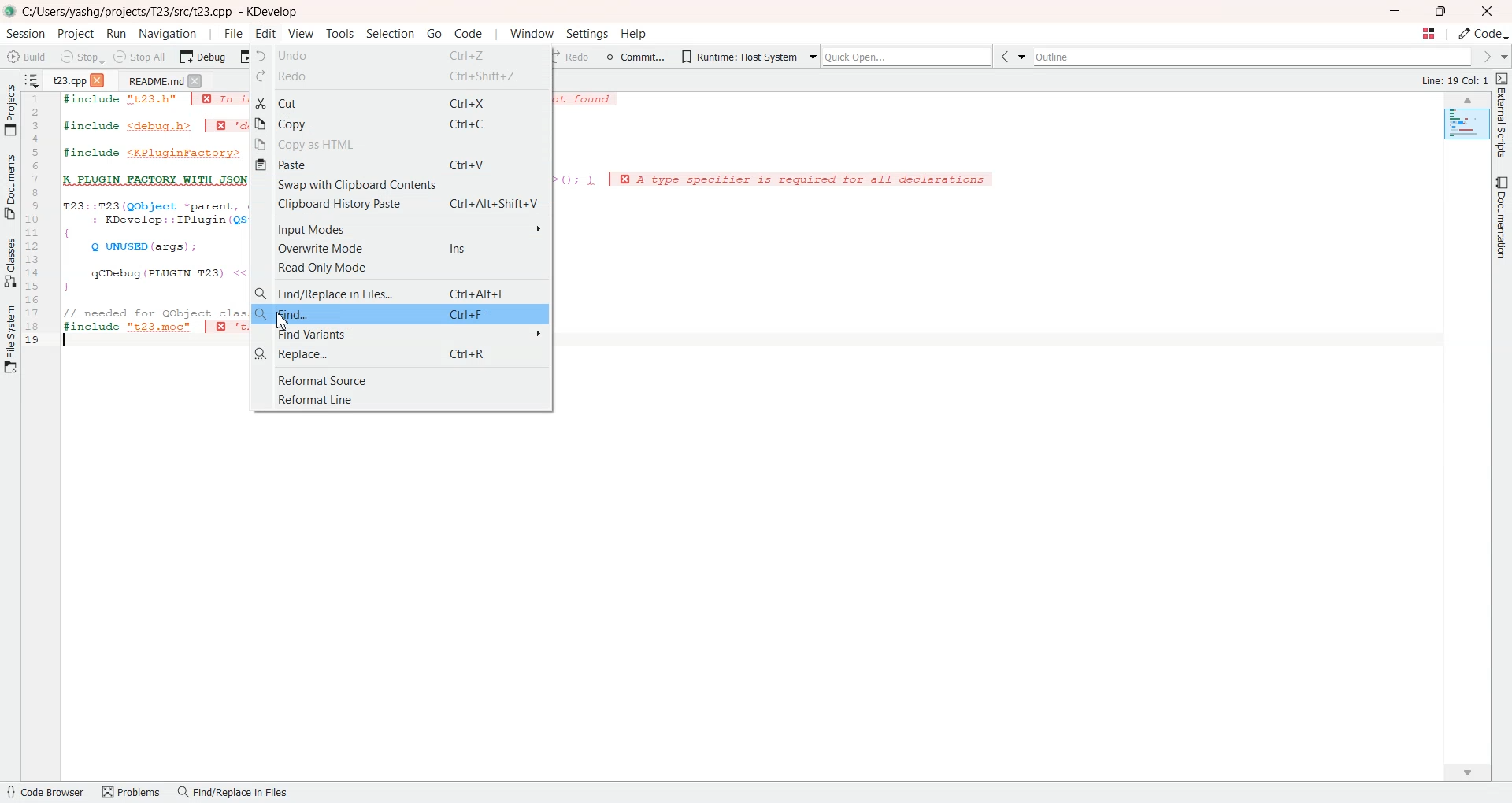 The width and height of the screenshot is (1512, 803). Describe the element at coordinates (402, 249) in the screenshot. I see `Overwrite Mode` at that location.